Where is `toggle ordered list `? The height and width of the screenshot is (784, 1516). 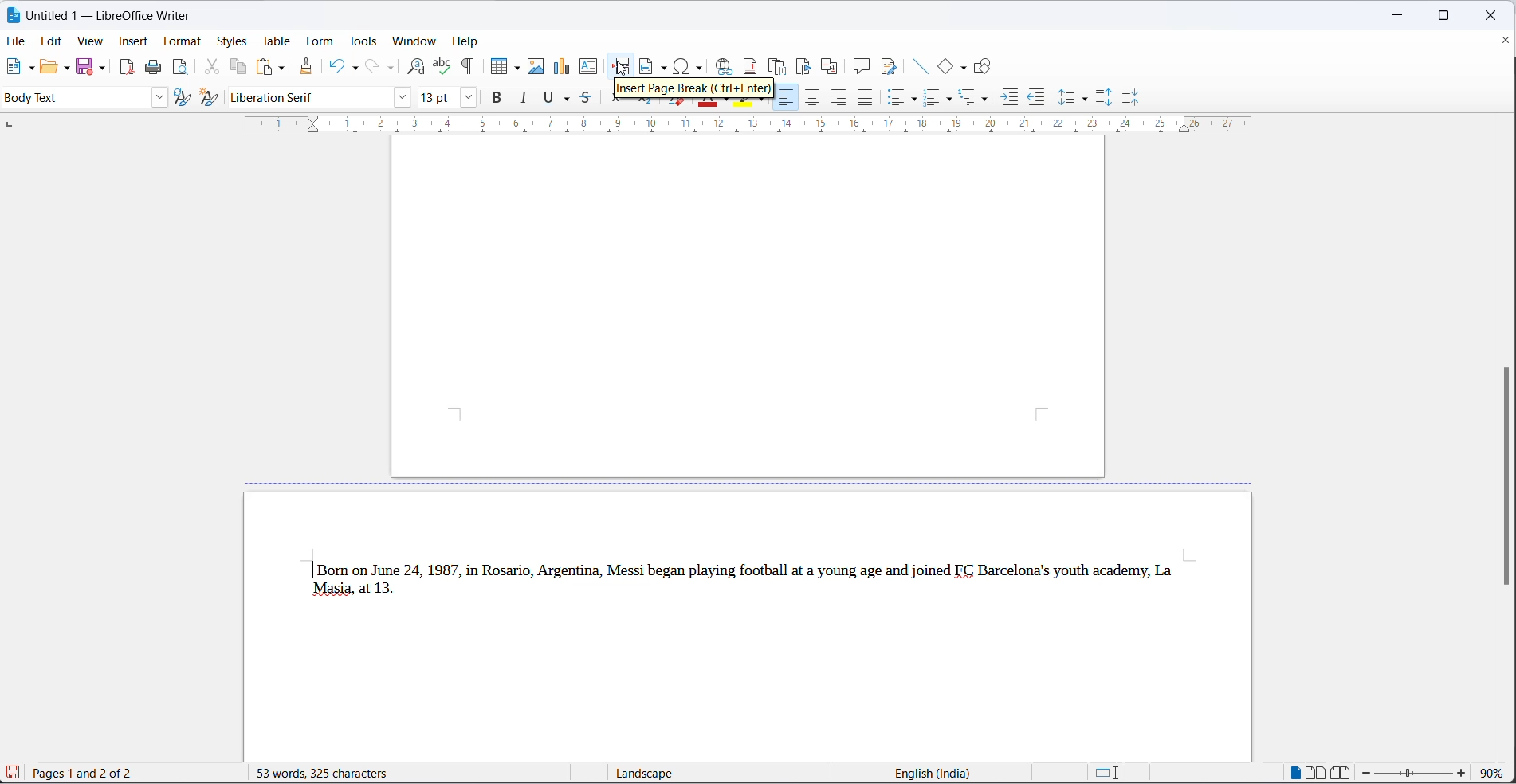 toggle ordered list  is located at coordinates (933, 97).